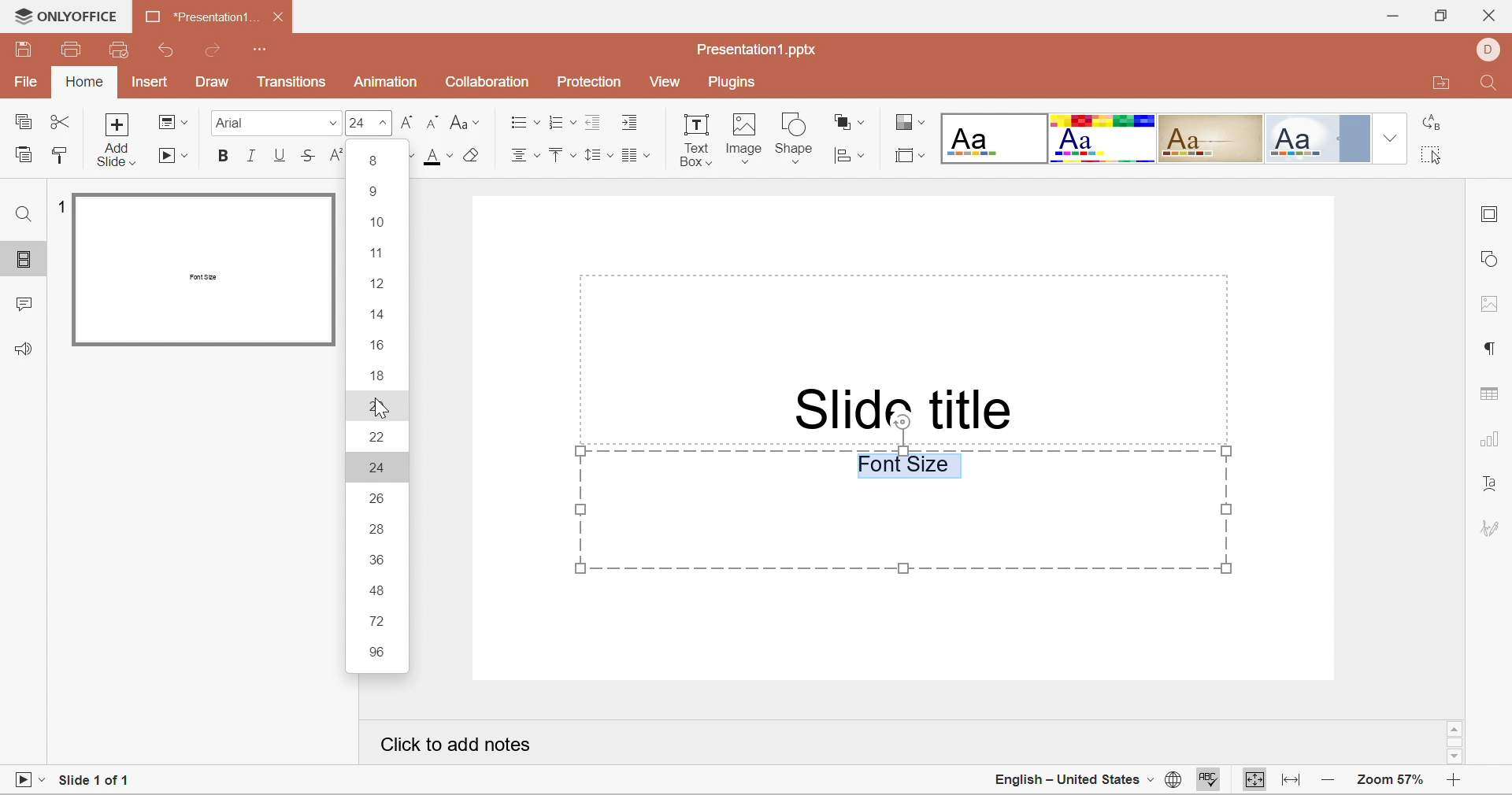 The height and width of the screenshot is (795, 1512). Describe the element at coordinates (1392, 15) in the screenshot. I see `Minimize` at that location.